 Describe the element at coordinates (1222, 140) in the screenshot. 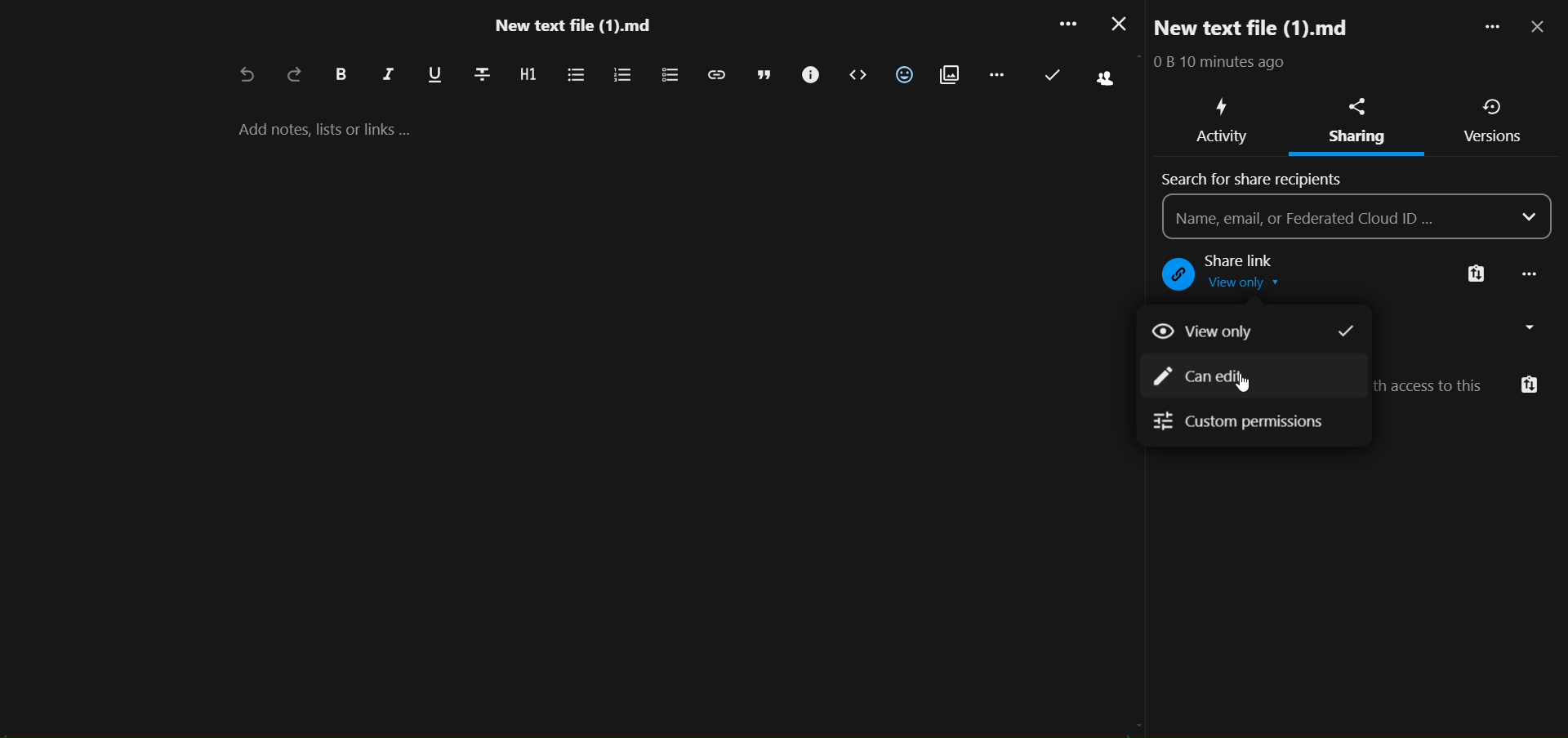

I see `activity` at that location.